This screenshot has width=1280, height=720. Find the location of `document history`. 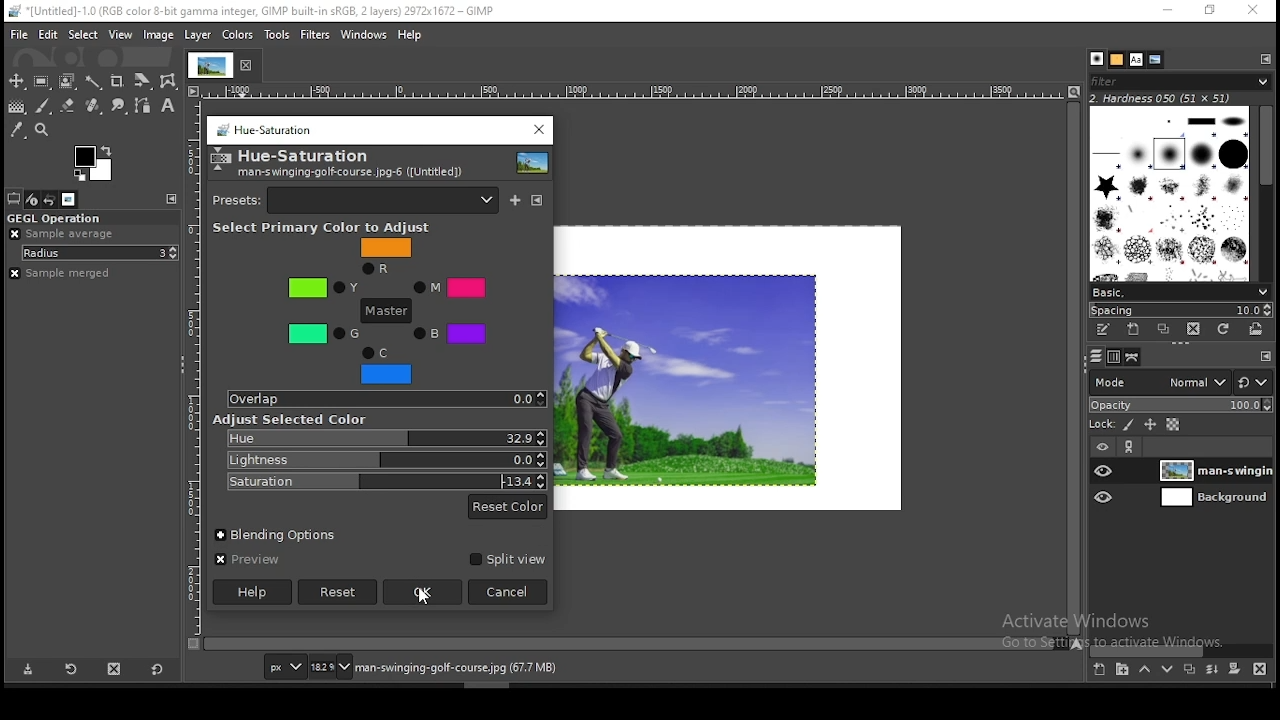

document history is located at coordinates (1154, 59).